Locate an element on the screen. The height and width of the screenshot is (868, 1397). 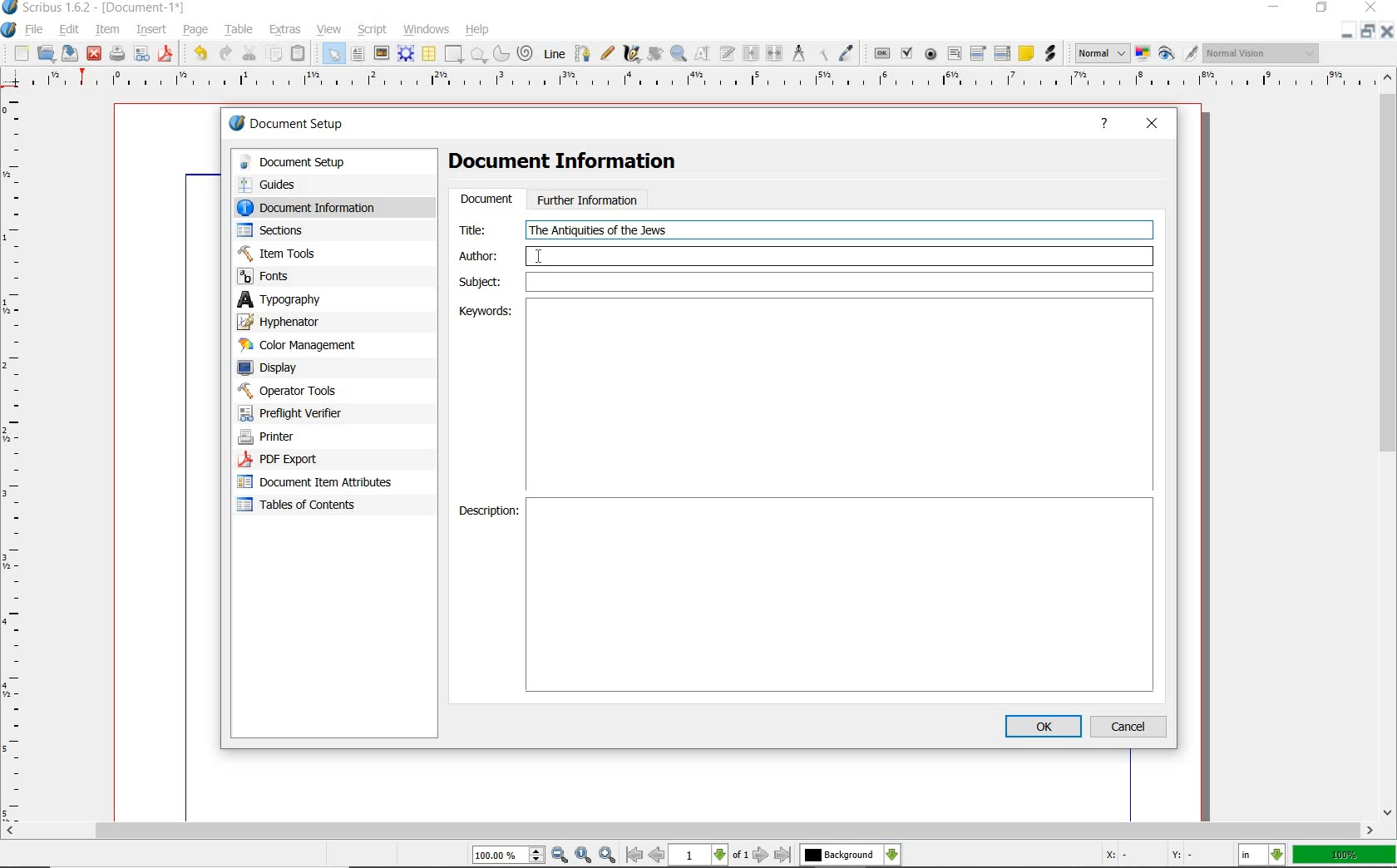
undo is located at coordinates (200, 55).